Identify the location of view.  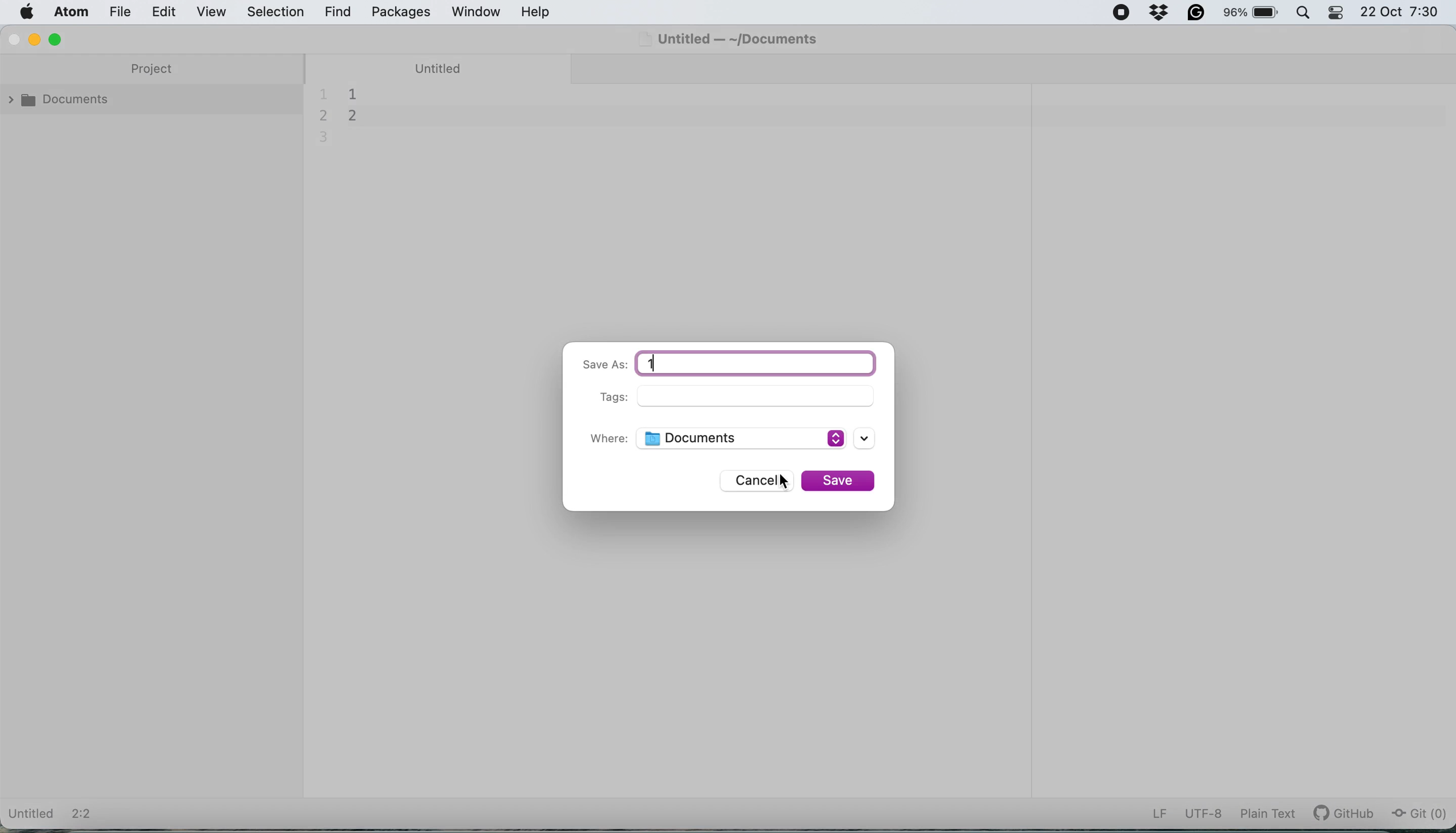
(214, 11).